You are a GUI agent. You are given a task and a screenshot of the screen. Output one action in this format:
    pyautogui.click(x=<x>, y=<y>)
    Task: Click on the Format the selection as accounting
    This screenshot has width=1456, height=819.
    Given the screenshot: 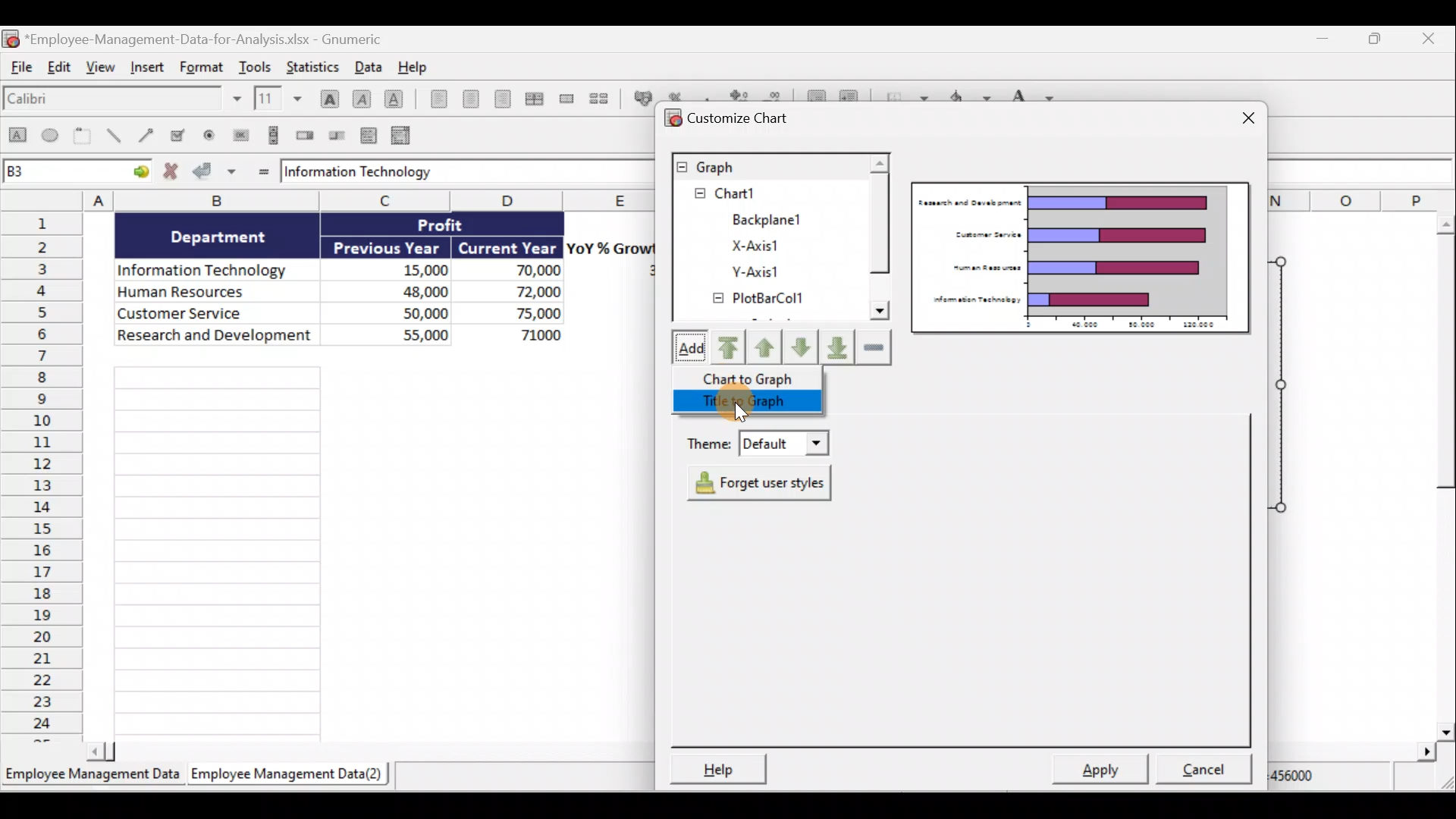 What is the action you would take?
    pyautogui.click(x=642, y=99)
    